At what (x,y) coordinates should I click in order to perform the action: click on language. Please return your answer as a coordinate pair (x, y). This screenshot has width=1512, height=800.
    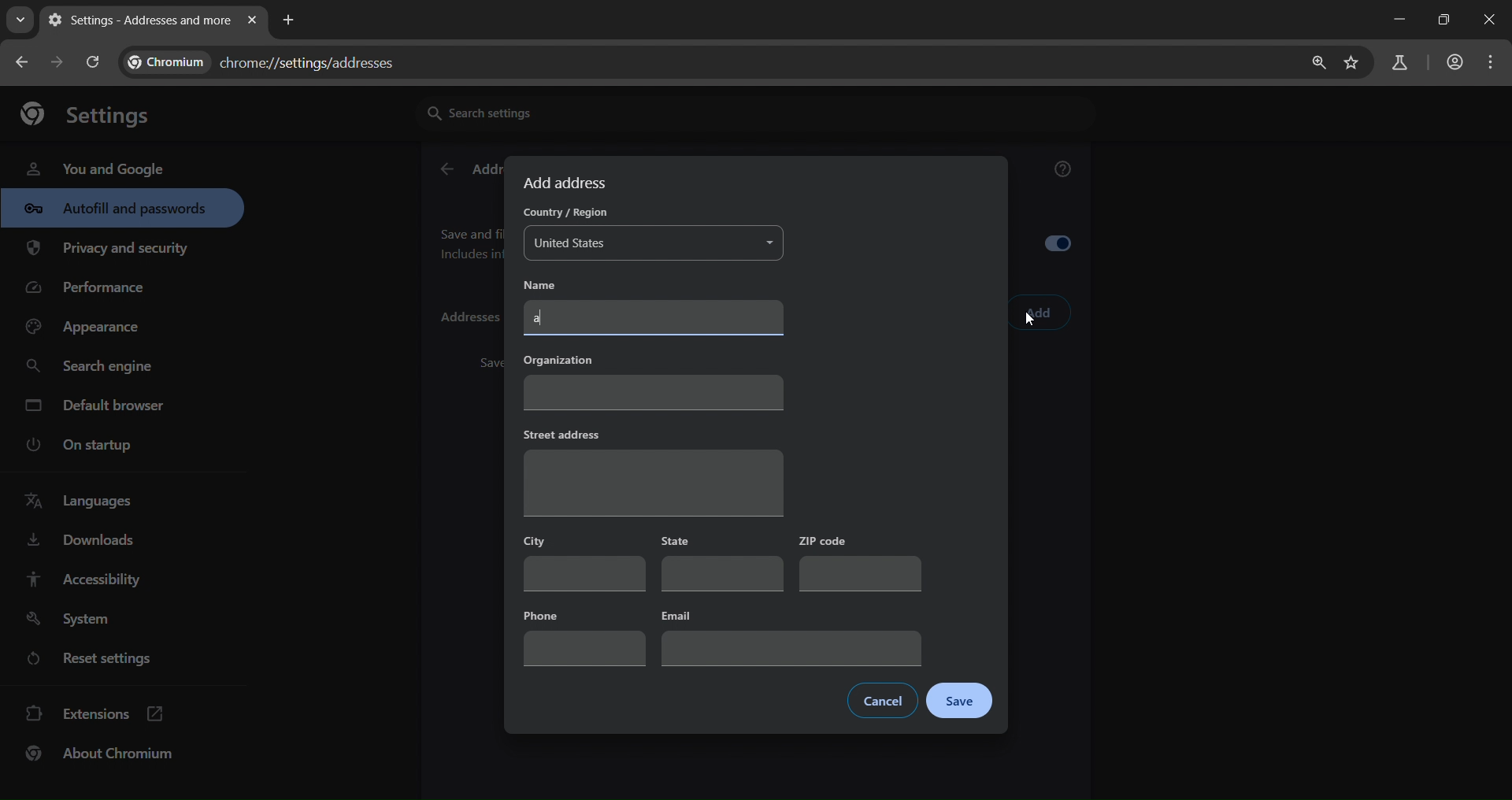
    Looking at the image, I should click on (83, 502).